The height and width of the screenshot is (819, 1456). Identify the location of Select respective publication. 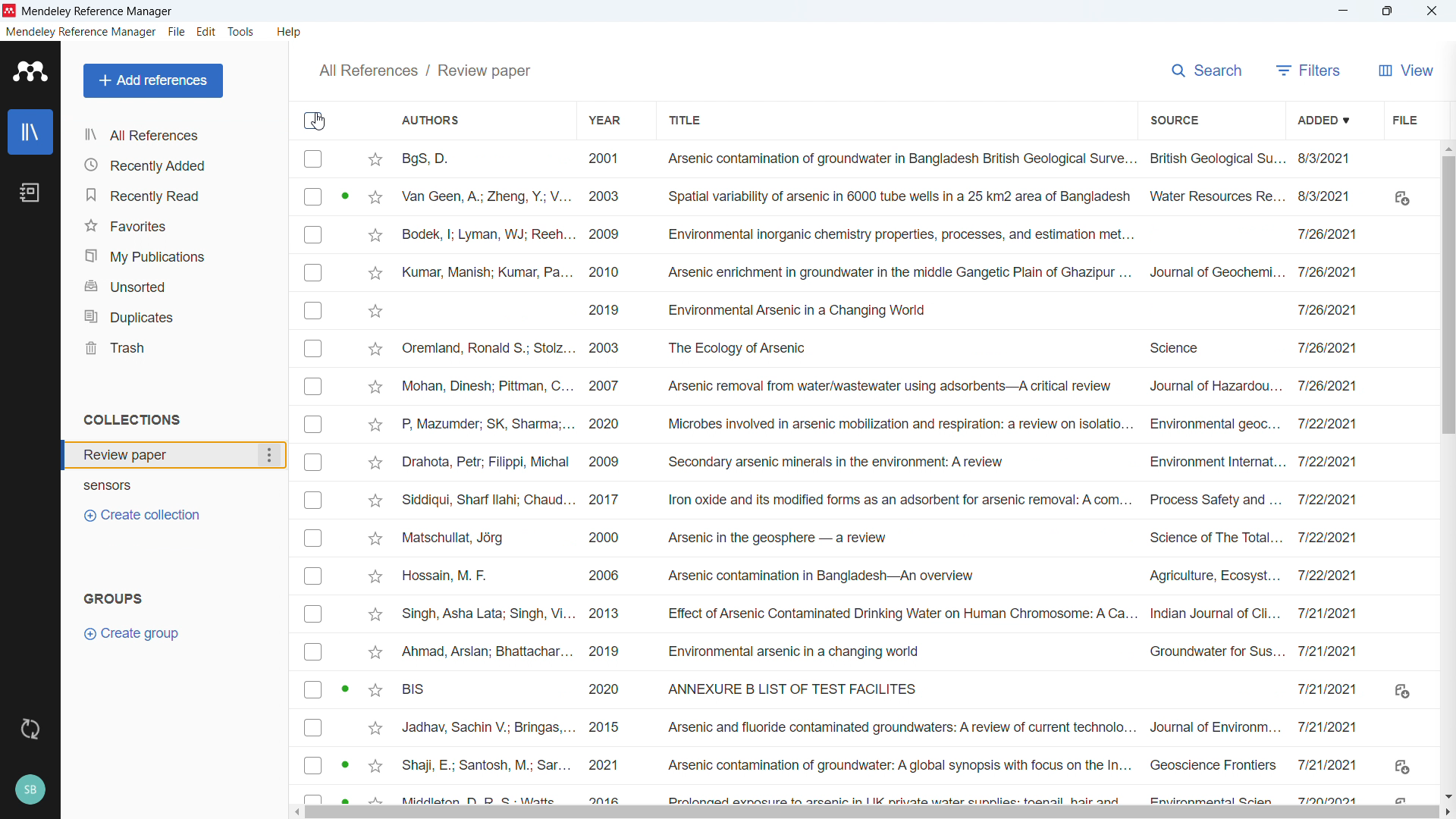
(312, 727).